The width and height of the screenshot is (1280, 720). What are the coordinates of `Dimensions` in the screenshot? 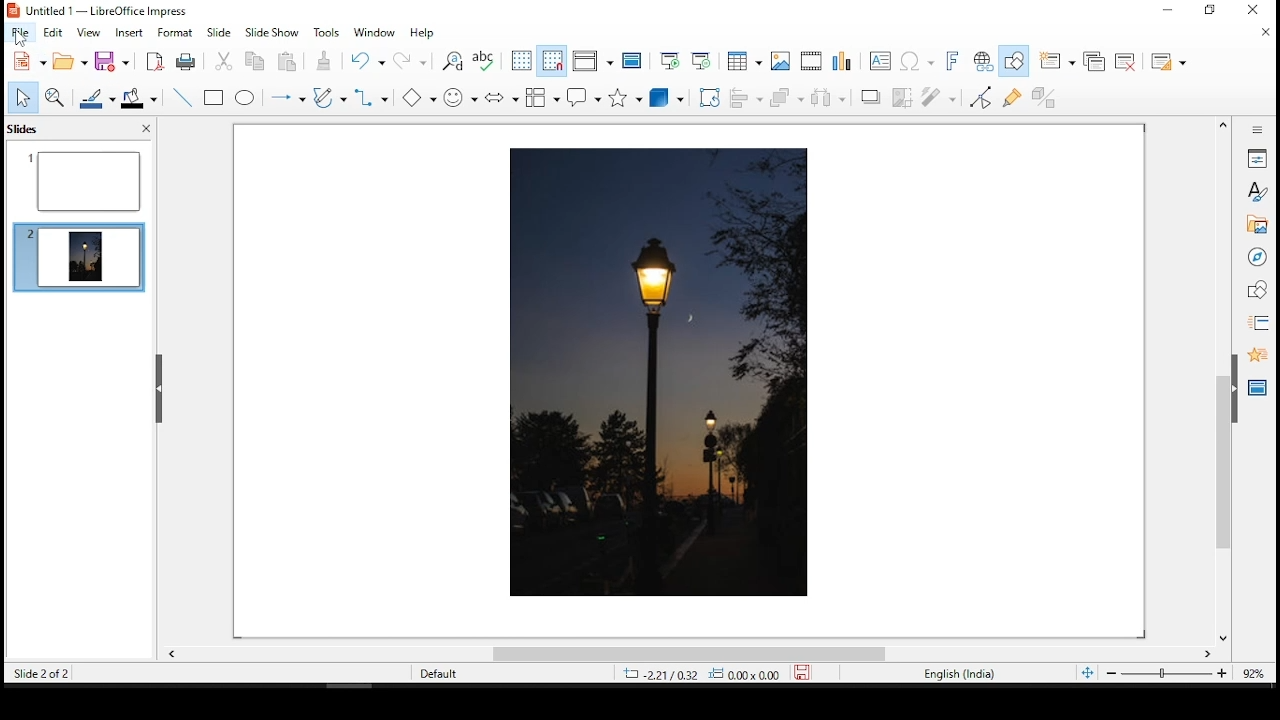 It's located at (722, 674).